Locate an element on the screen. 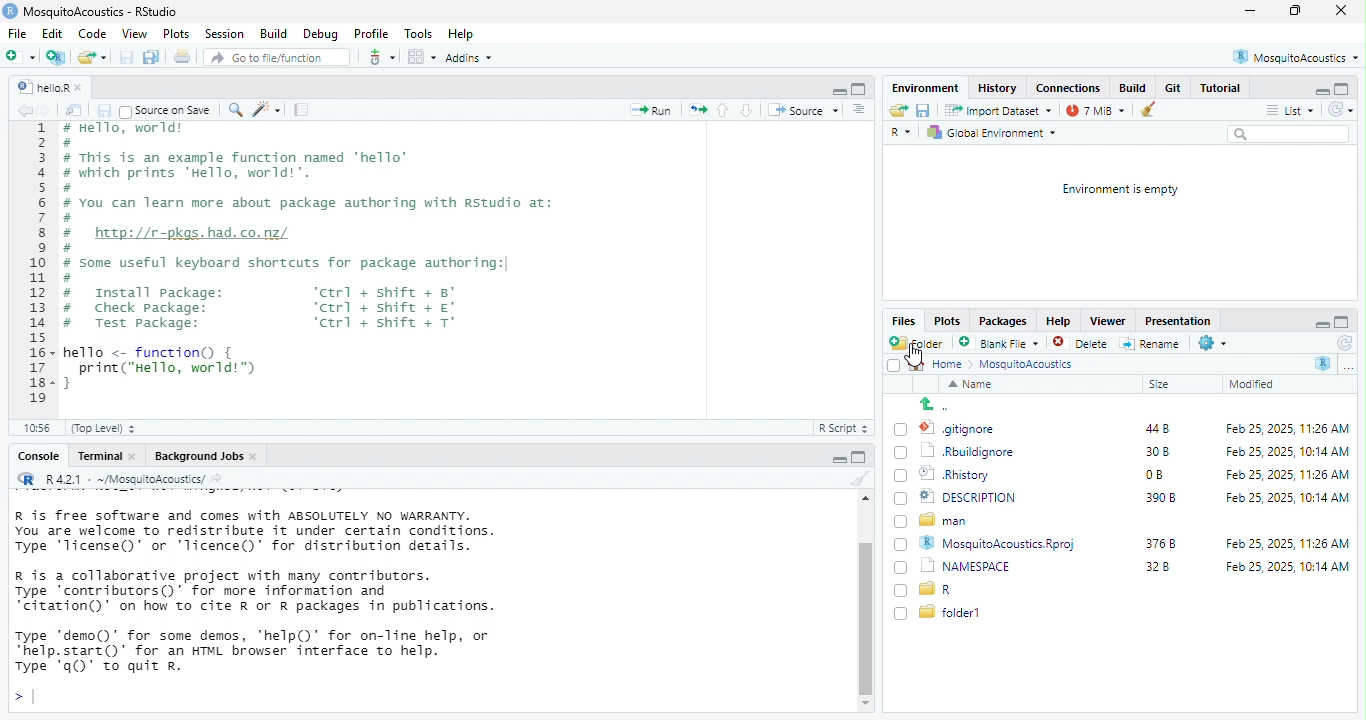  Feb 25 2025 10:14 AM is located at coordinates (1280, 451).